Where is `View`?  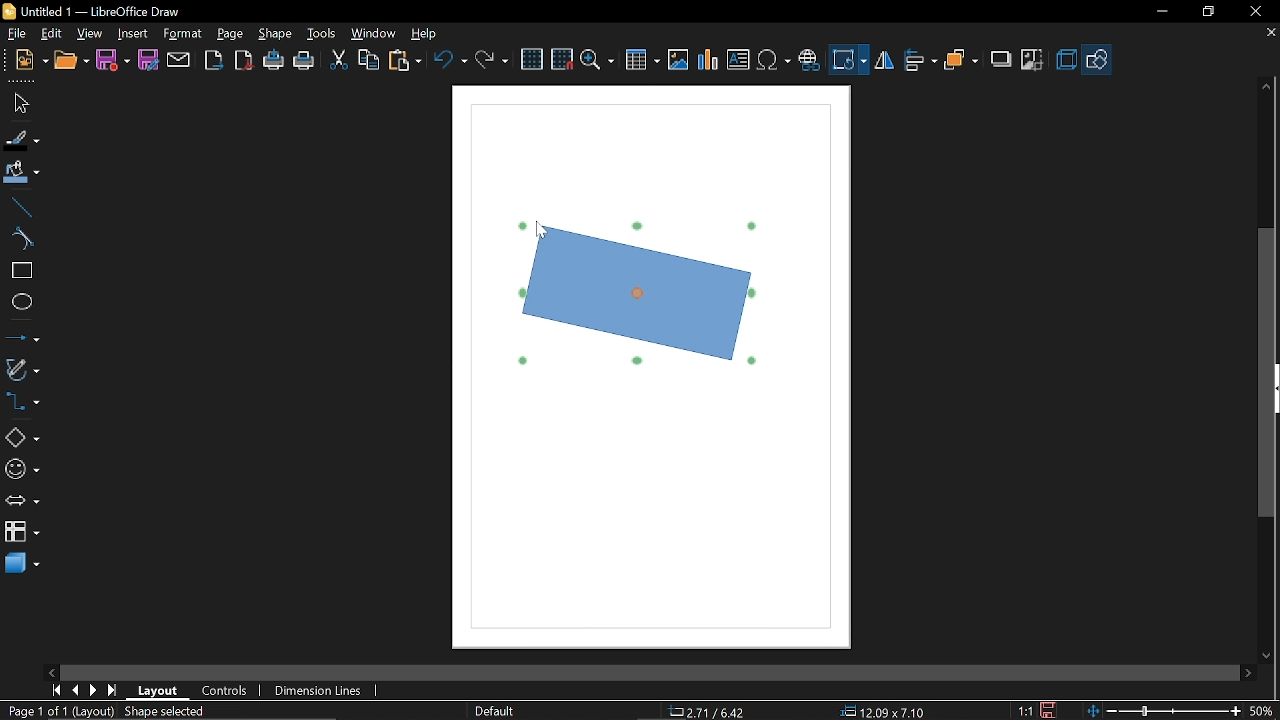
View is located at coordinates (91, 33).